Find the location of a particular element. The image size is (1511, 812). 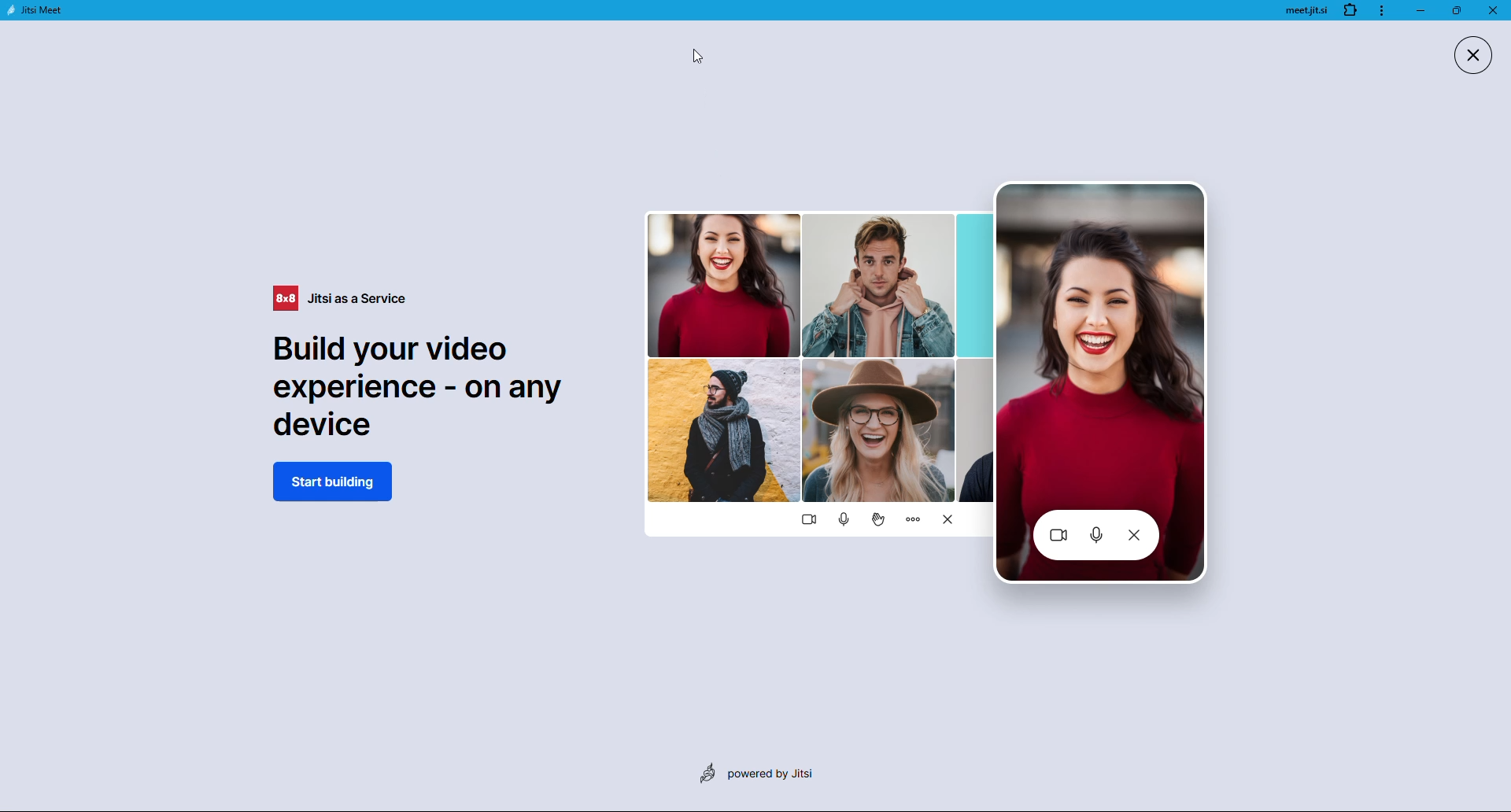

more is located at coordinates (1382, 12).